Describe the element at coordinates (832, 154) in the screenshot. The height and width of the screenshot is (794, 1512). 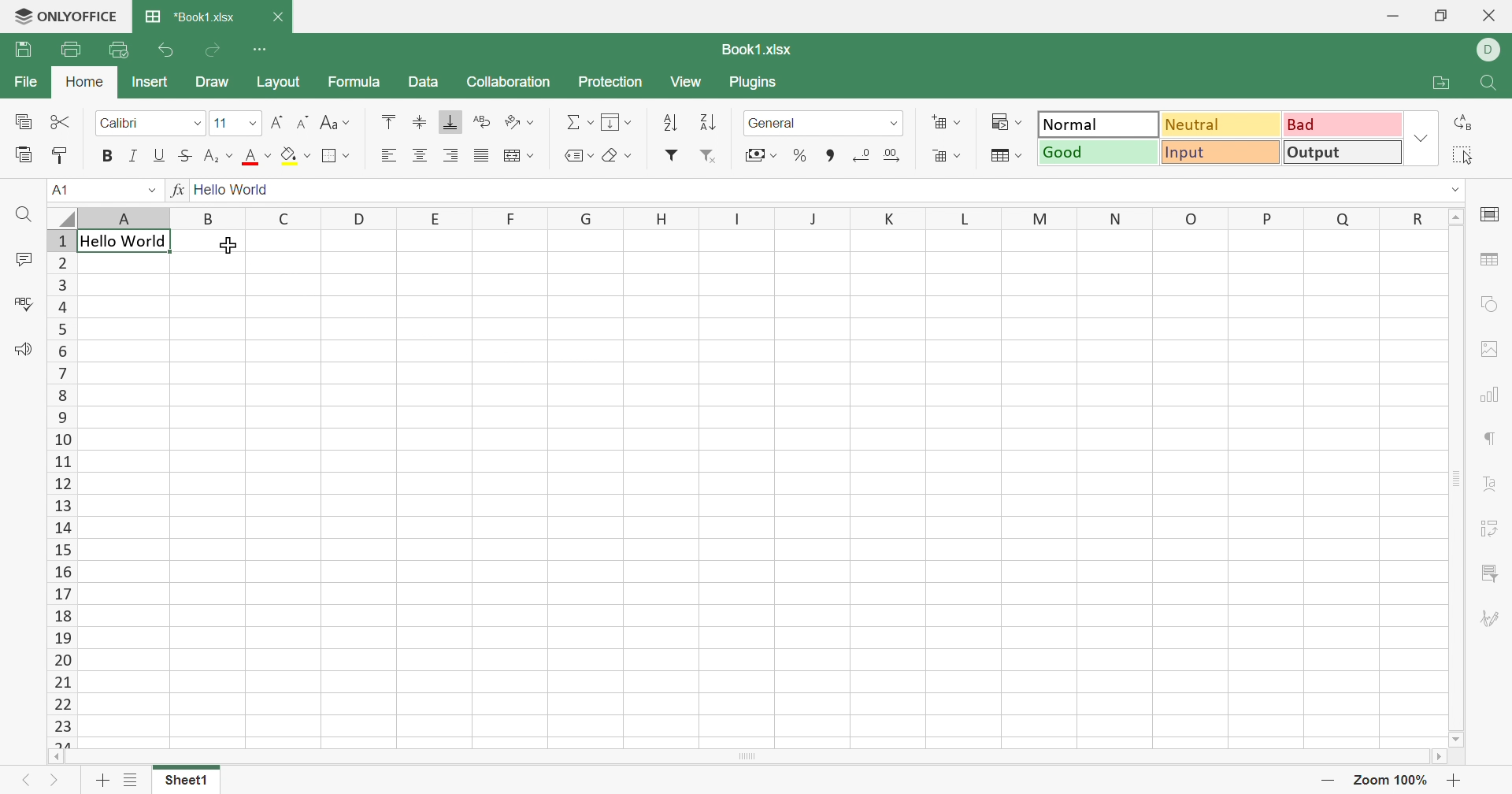
I see `Comma style` at that location.